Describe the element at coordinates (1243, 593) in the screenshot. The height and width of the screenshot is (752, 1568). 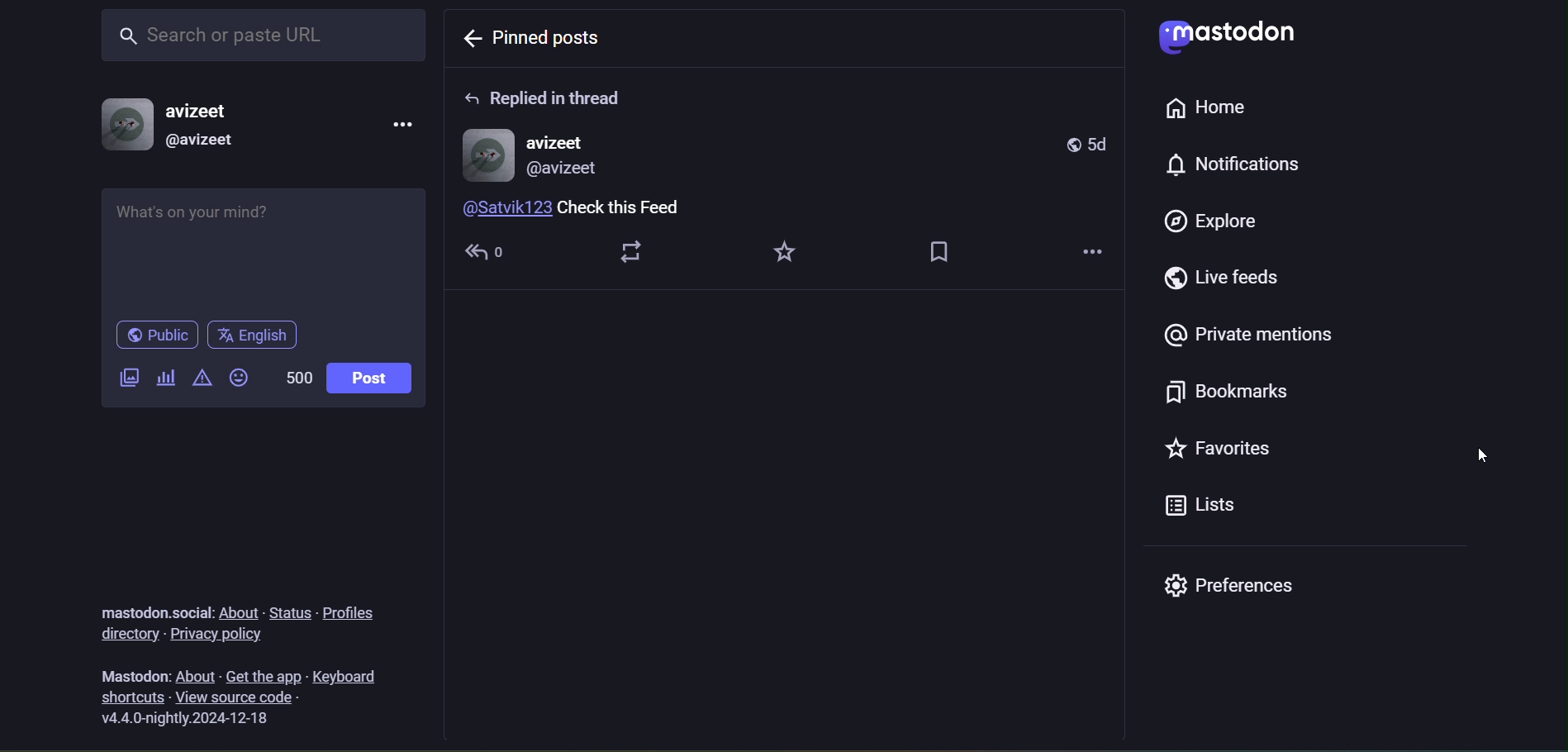
I see `preferences` at that location.